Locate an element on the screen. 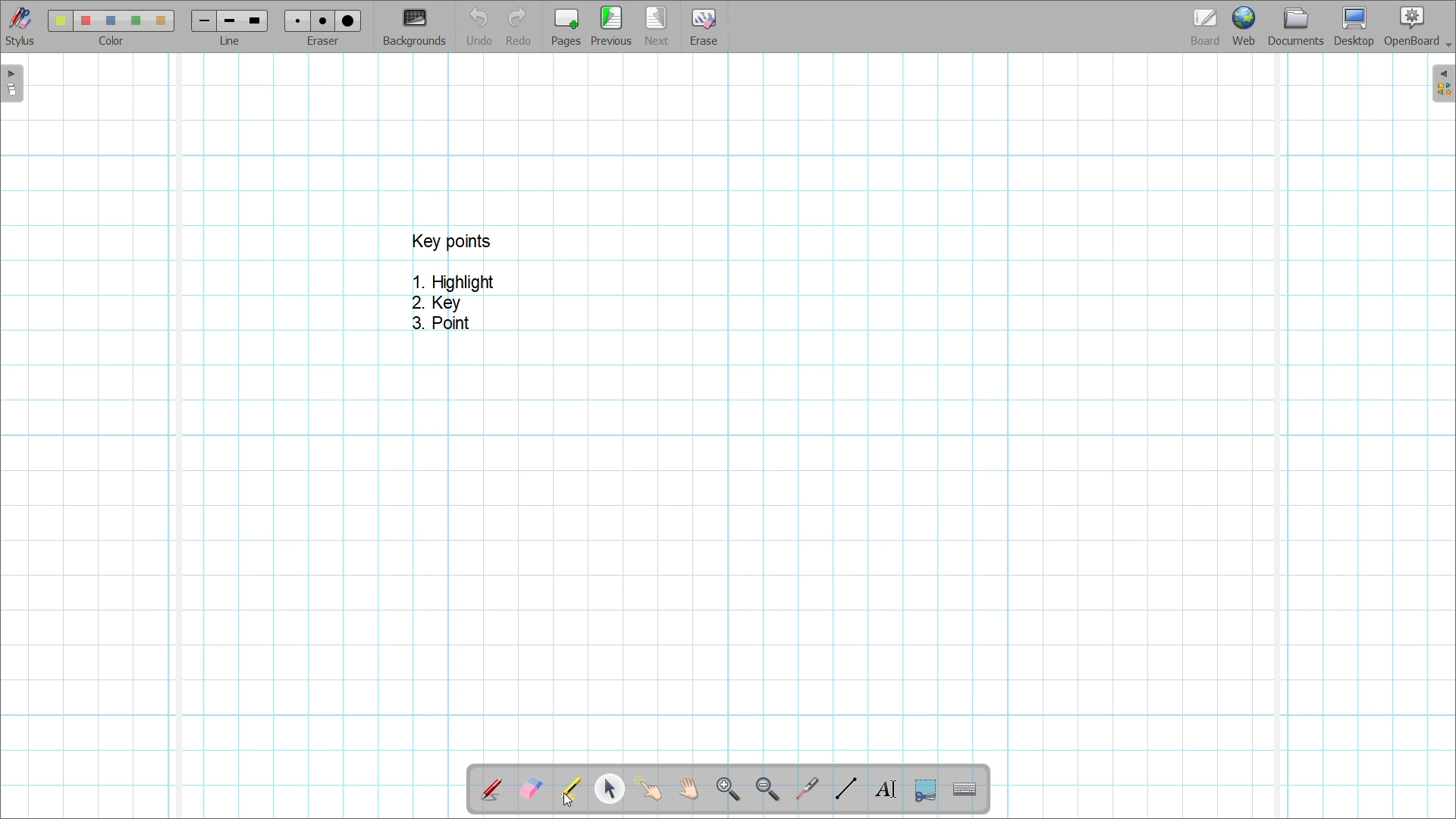 This screenshot has width=1456, height=819. Display virtual keyboard is located at coordinates (965, 789).